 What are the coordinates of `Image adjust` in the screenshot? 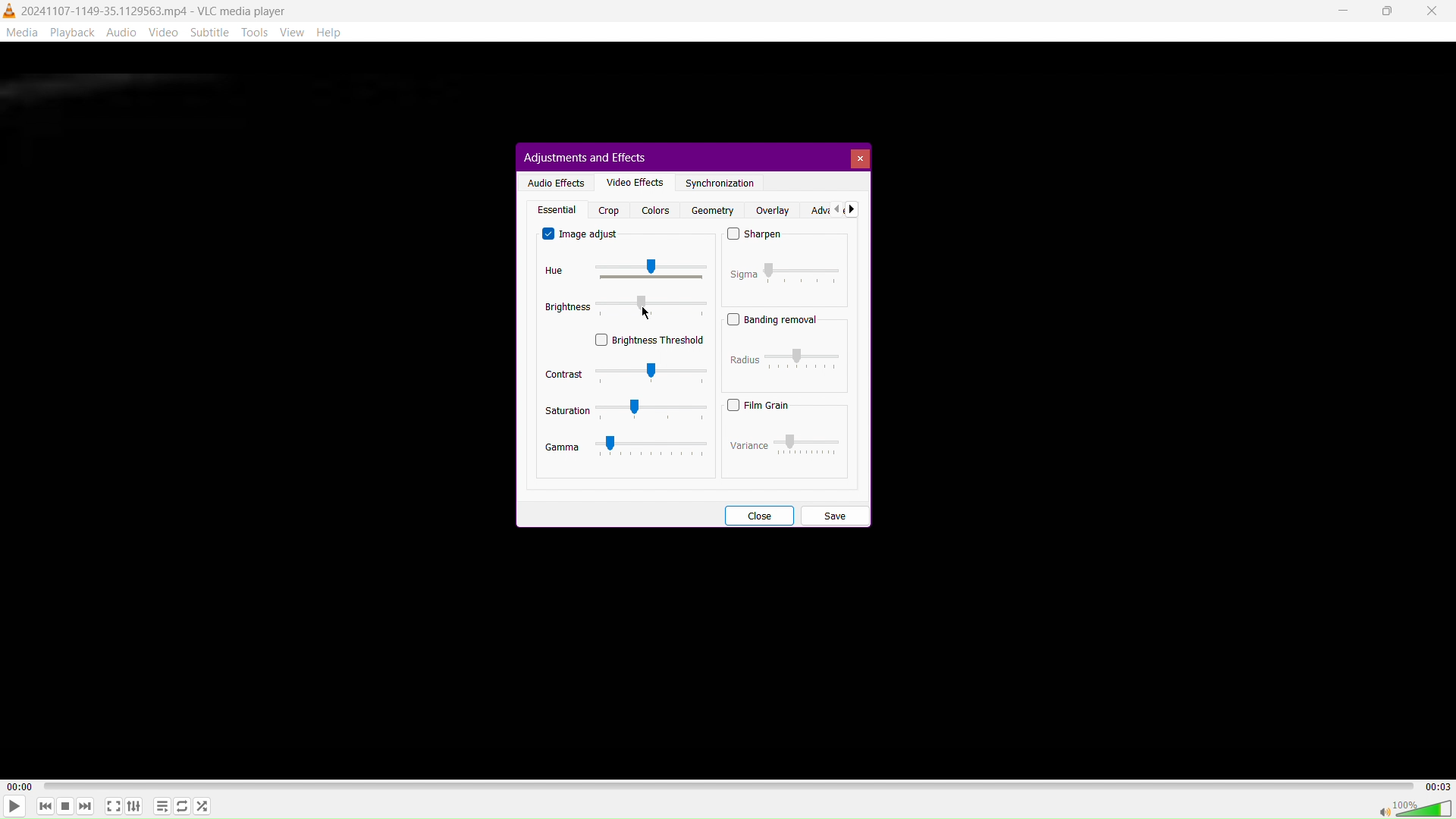 It's located at (582, 234).